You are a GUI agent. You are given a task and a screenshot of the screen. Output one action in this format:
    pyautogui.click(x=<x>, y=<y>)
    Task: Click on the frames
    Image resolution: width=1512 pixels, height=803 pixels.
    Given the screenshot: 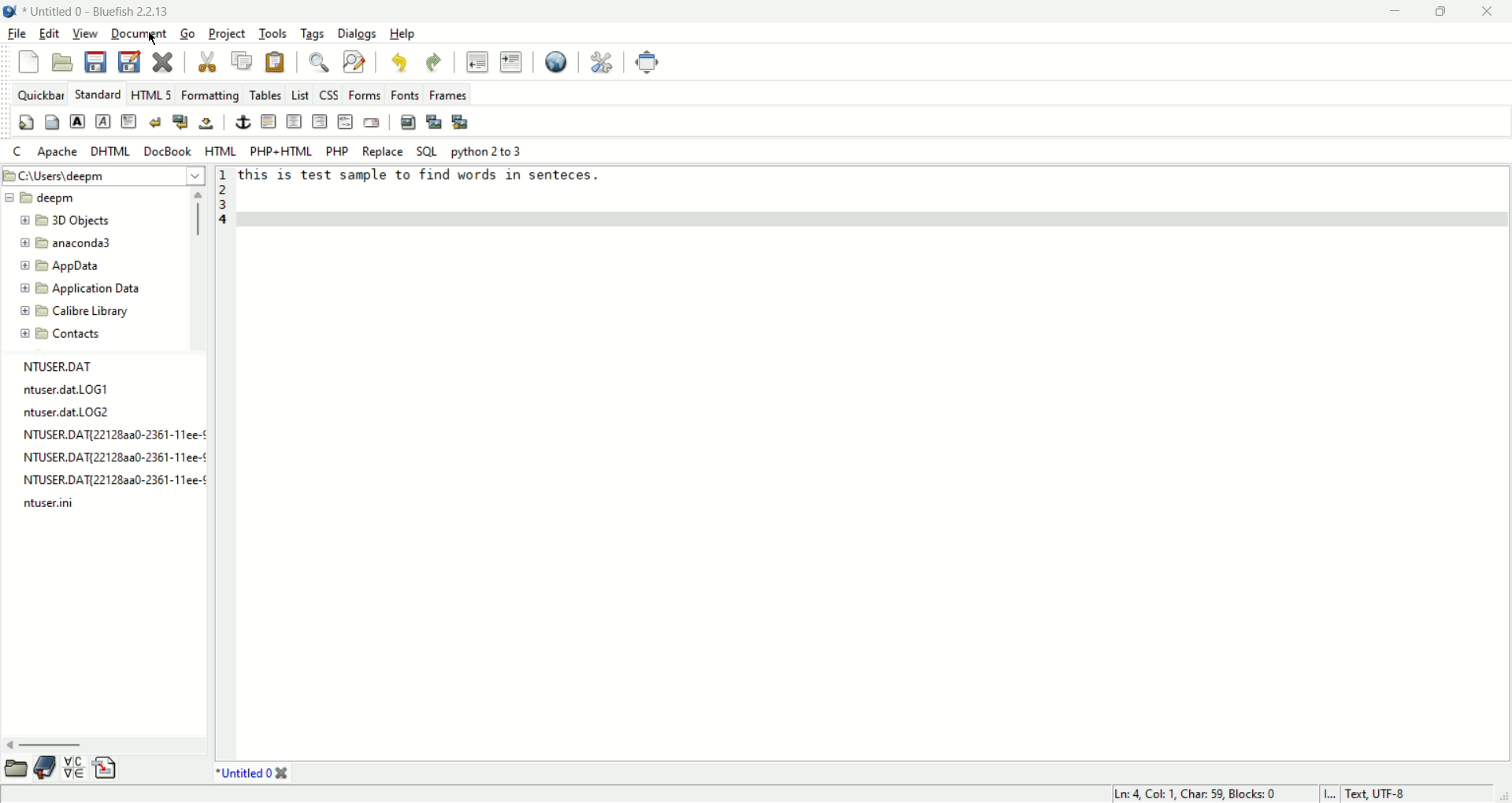 What is the action you would take?
    pyautogui.click(x=449, y=92)
    